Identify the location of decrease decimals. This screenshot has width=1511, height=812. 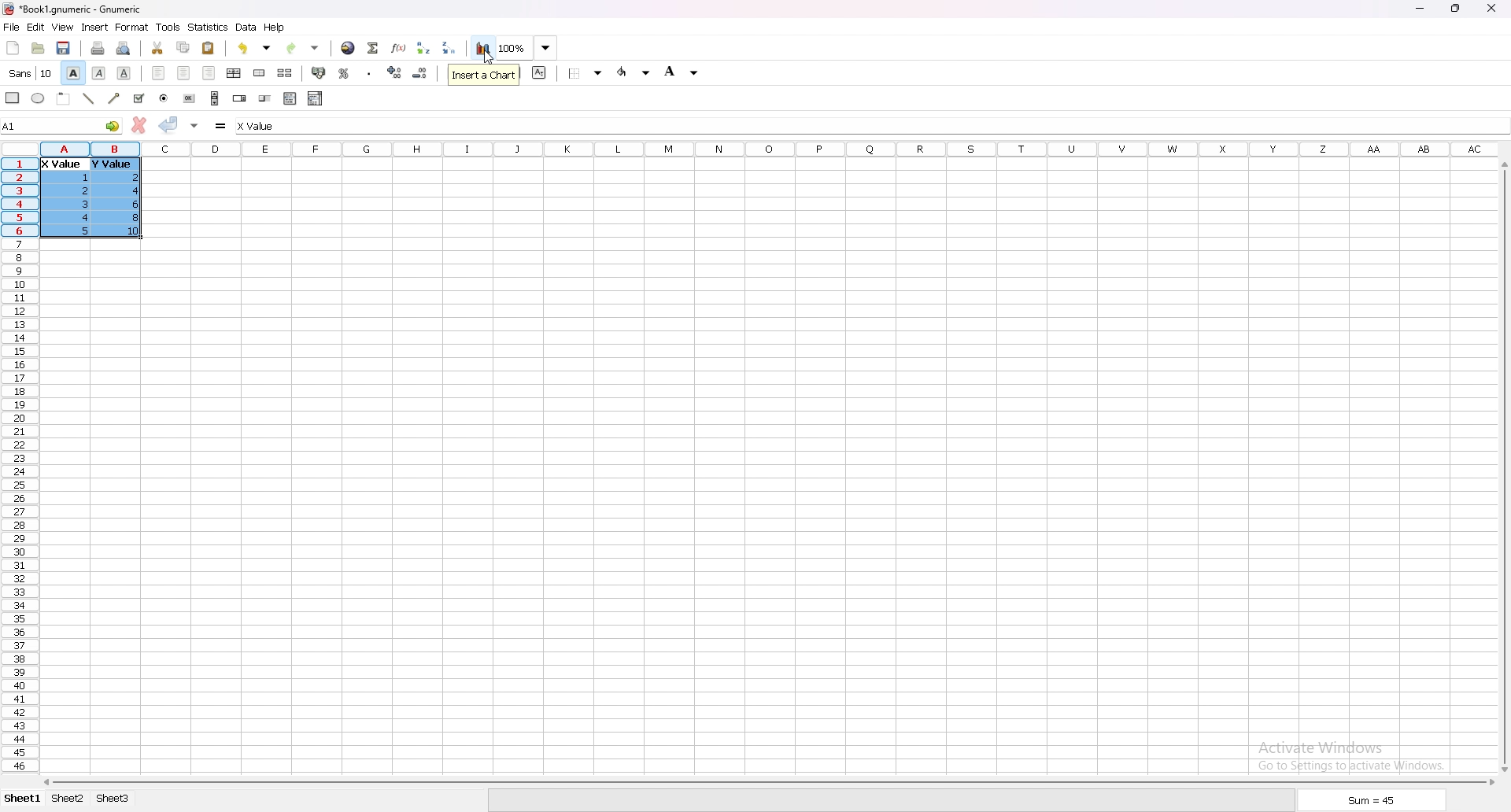
(420, 73).